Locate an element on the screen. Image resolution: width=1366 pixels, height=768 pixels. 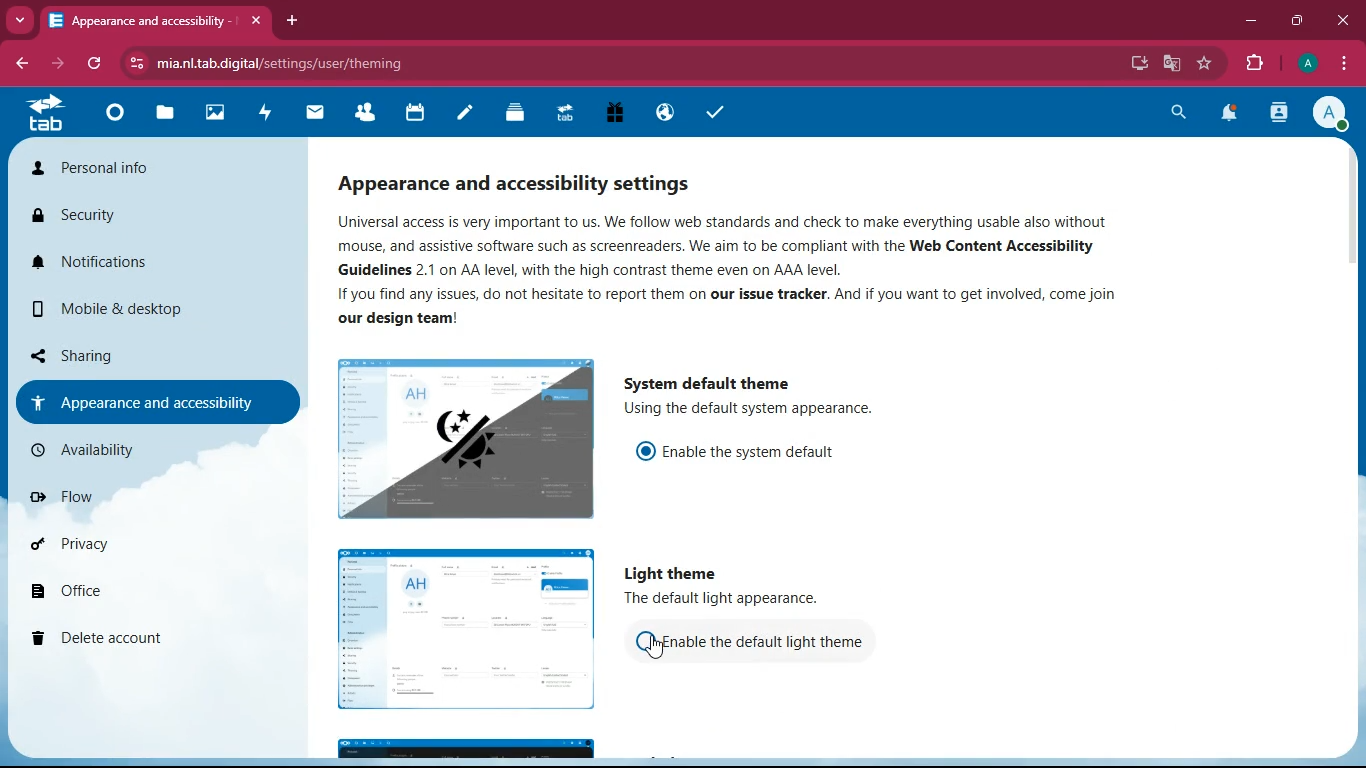
layers is located at coordinates (510, 115).